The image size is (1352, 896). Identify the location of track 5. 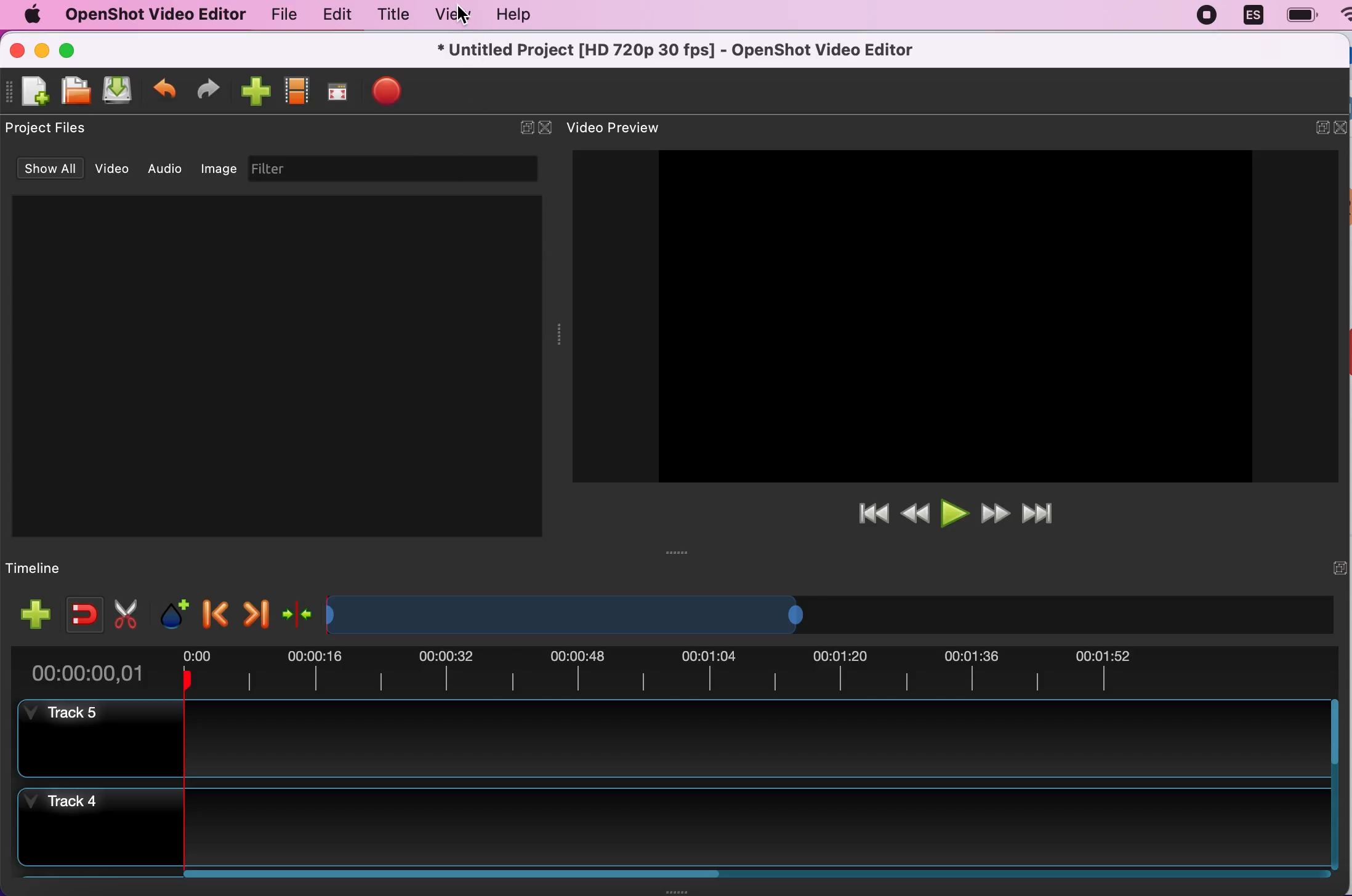
(671, 739).